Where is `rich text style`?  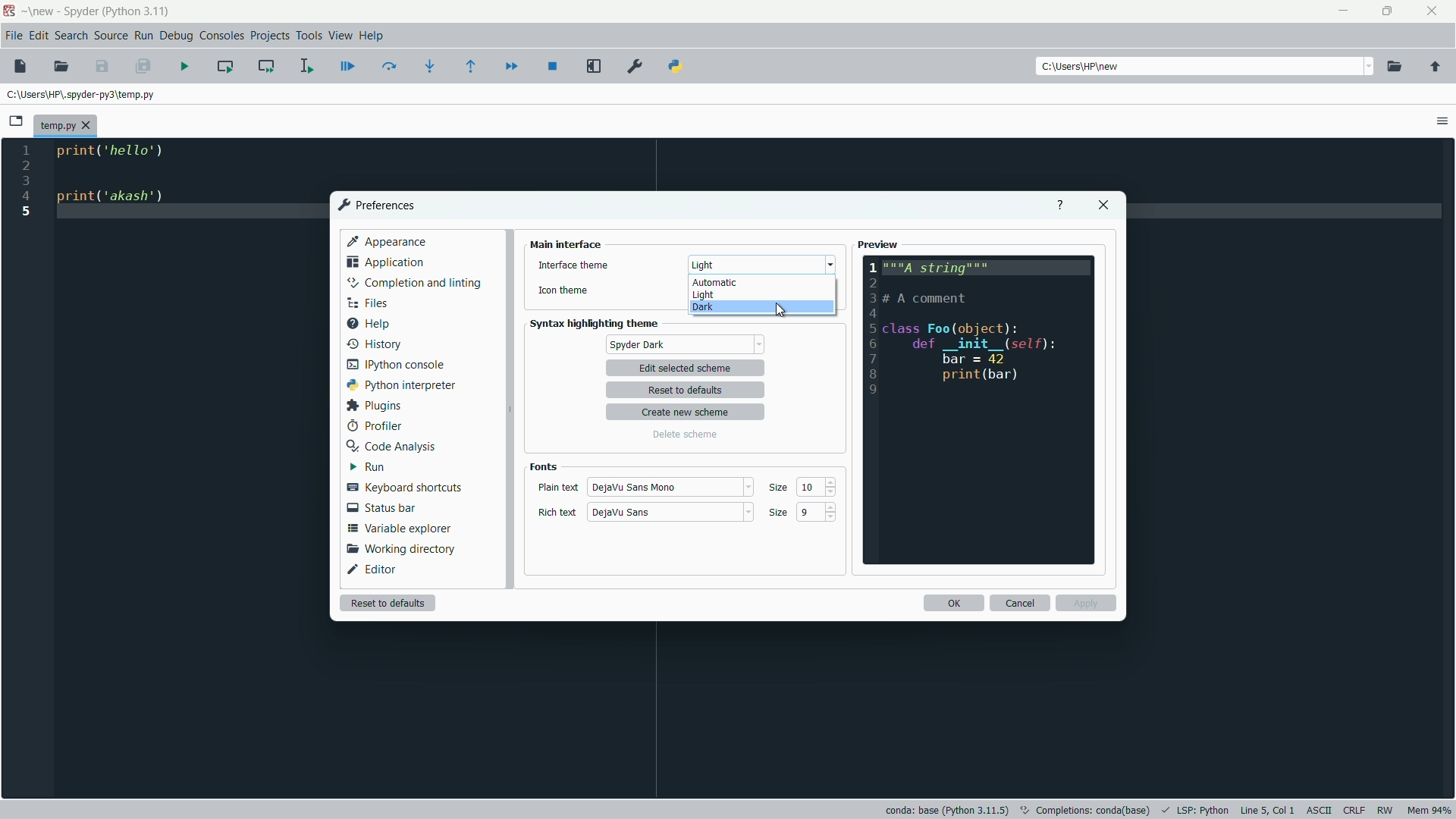
rich text style is located at coordinates (621, 513).